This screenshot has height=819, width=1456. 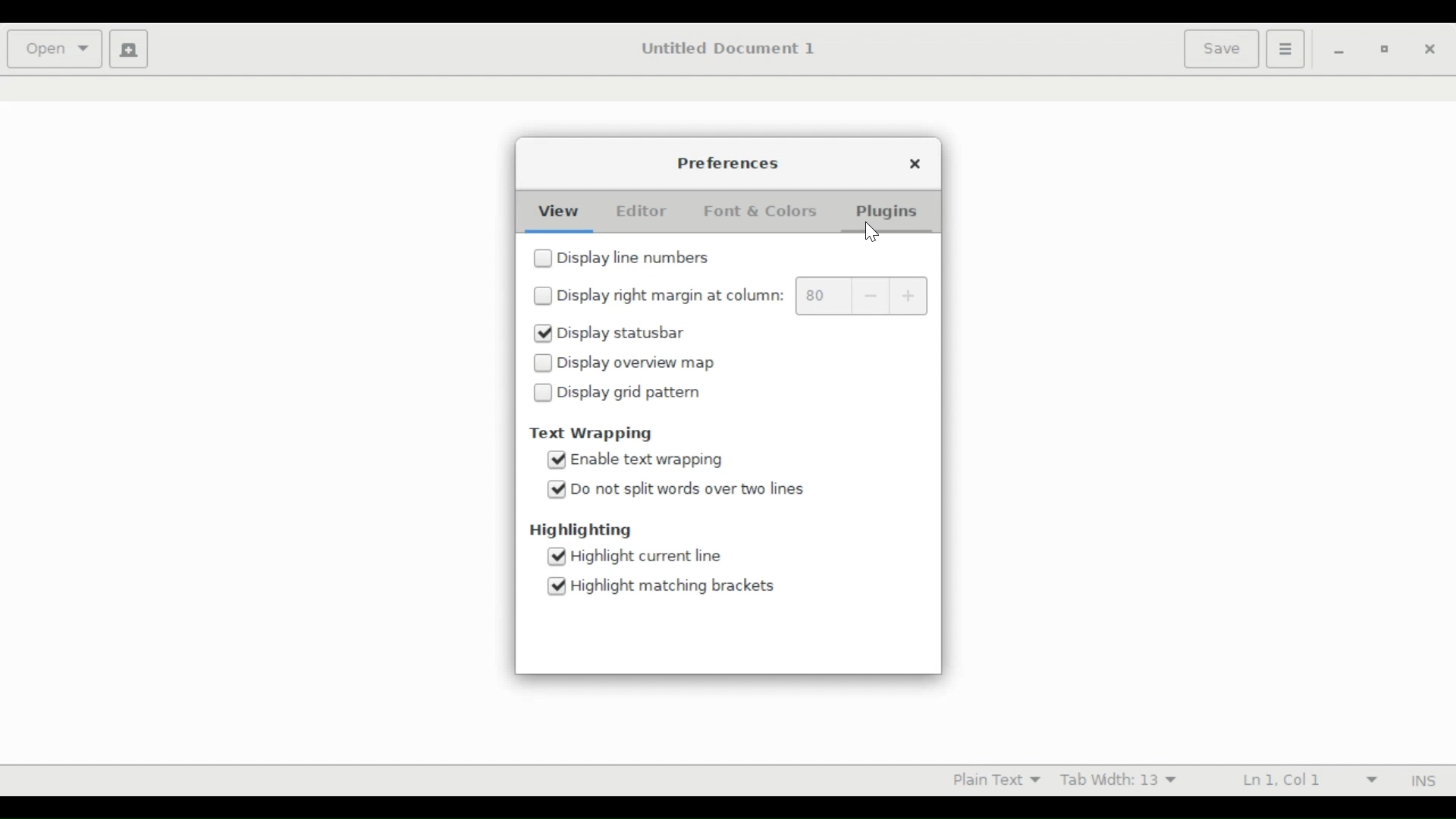 What do you see at coordinates (762, 212) in the screenshot?
I see `Font & Colors` at bounding box center [762, 212].